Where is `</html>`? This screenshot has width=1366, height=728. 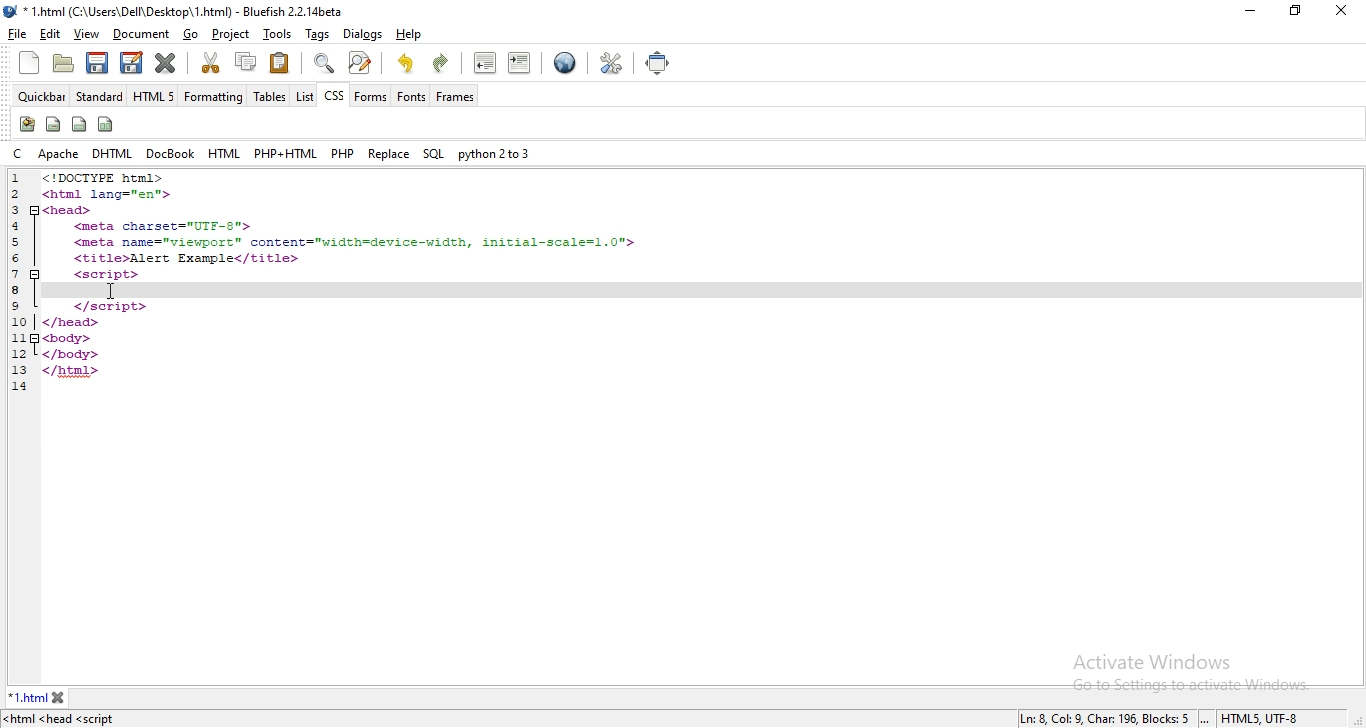
</html> is located at coordinates (73, 370).